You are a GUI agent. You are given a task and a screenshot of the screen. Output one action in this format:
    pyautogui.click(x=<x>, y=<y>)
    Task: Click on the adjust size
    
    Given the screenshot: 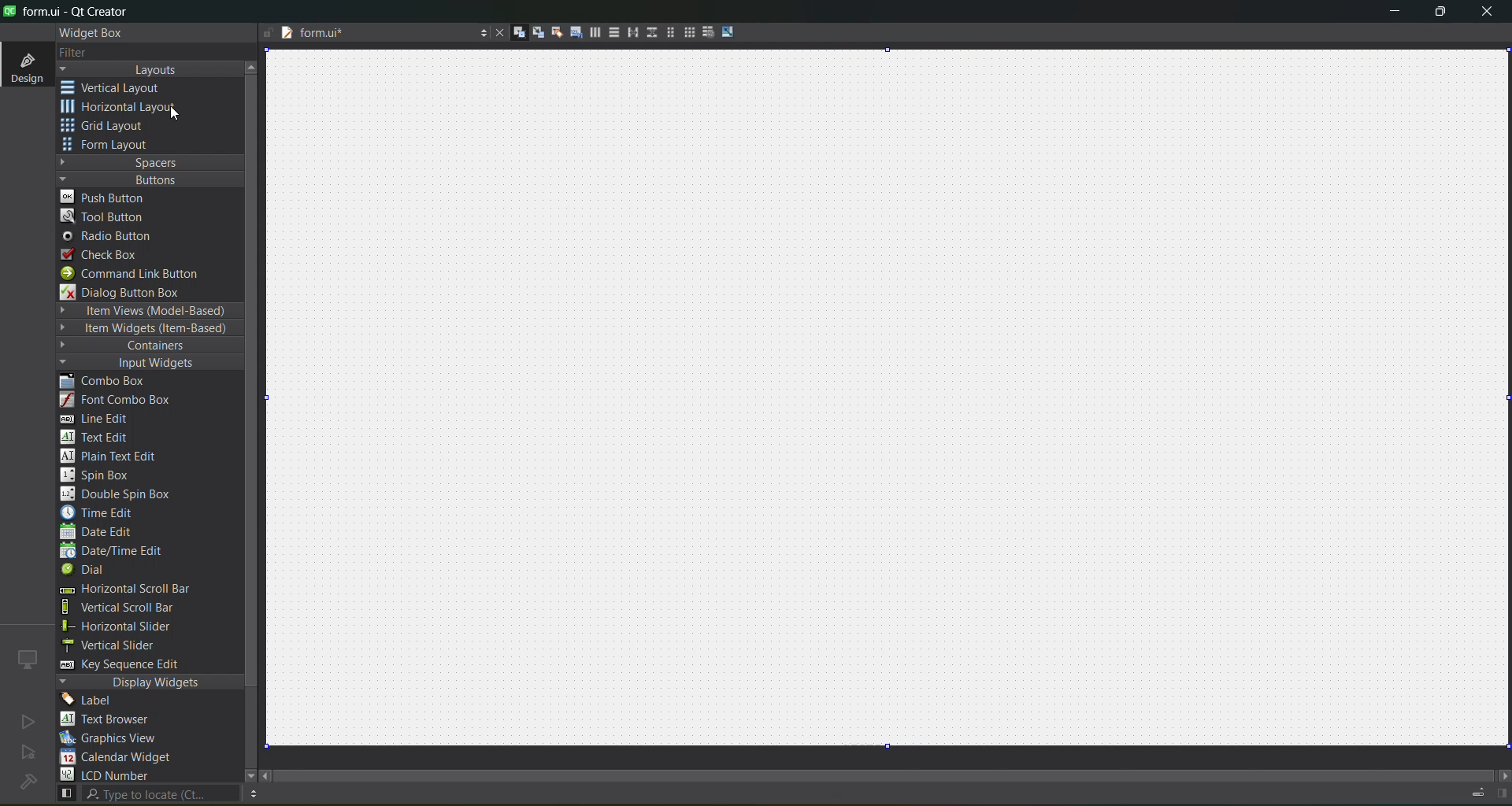 What is the action you would take?
    pyautogui.click(x=732, y=31)
    